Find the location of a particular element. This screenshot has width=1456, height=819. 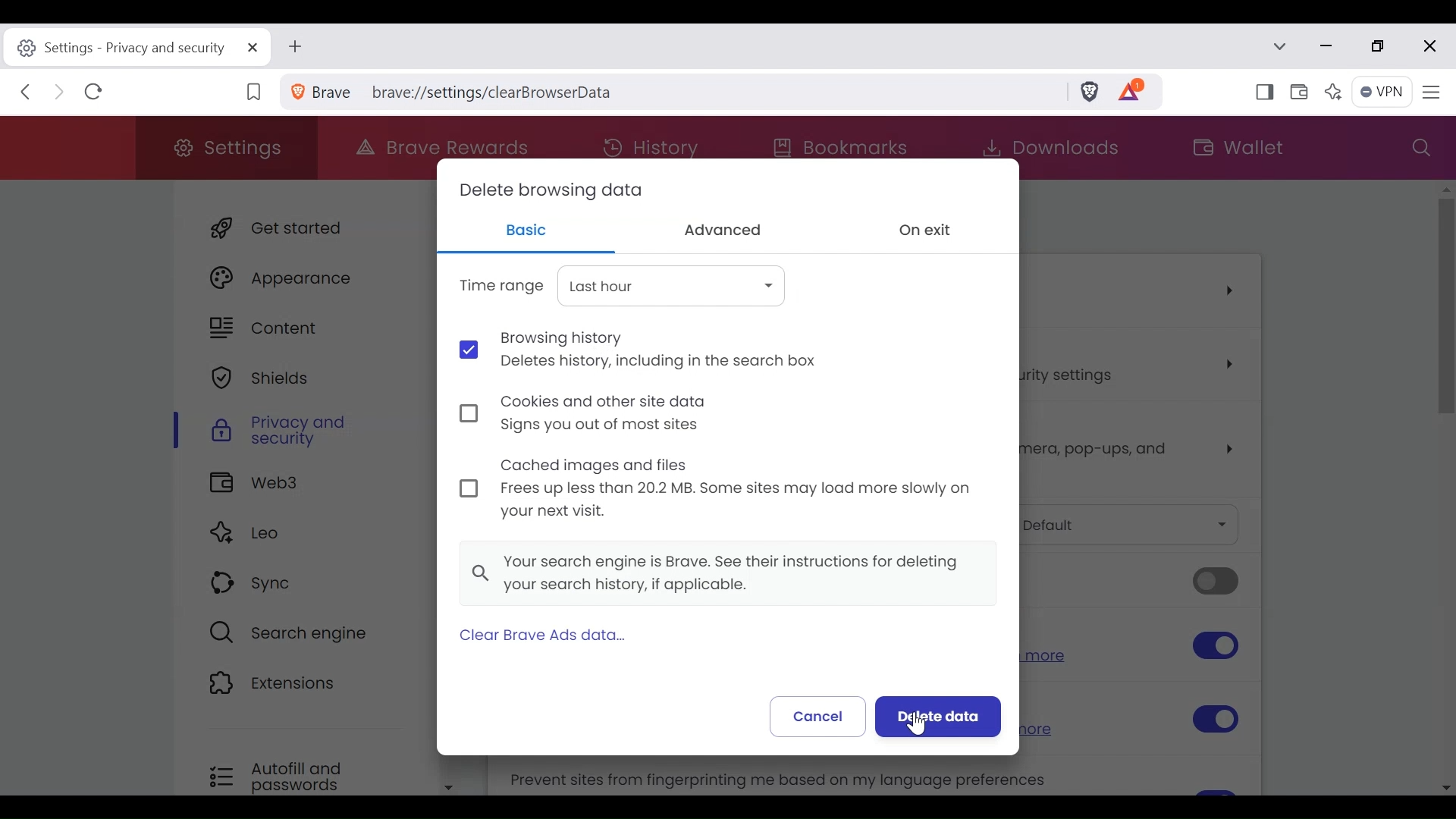

Search settings is located at coordinates (1420, 148).